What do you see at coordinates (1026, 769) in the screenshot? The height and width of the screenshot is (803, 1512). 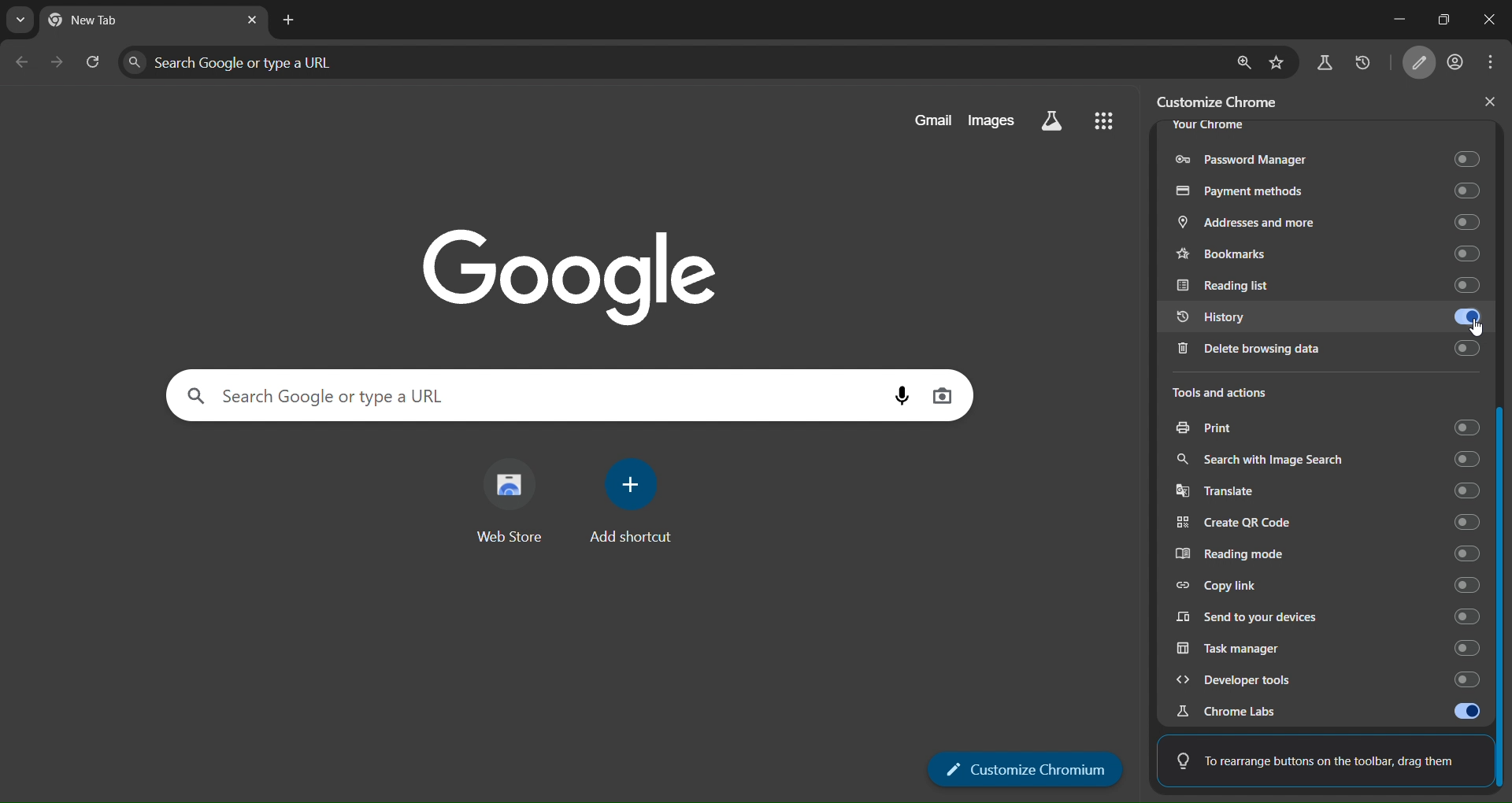 I see `customize chromium` at bounding box center [1026, 769].